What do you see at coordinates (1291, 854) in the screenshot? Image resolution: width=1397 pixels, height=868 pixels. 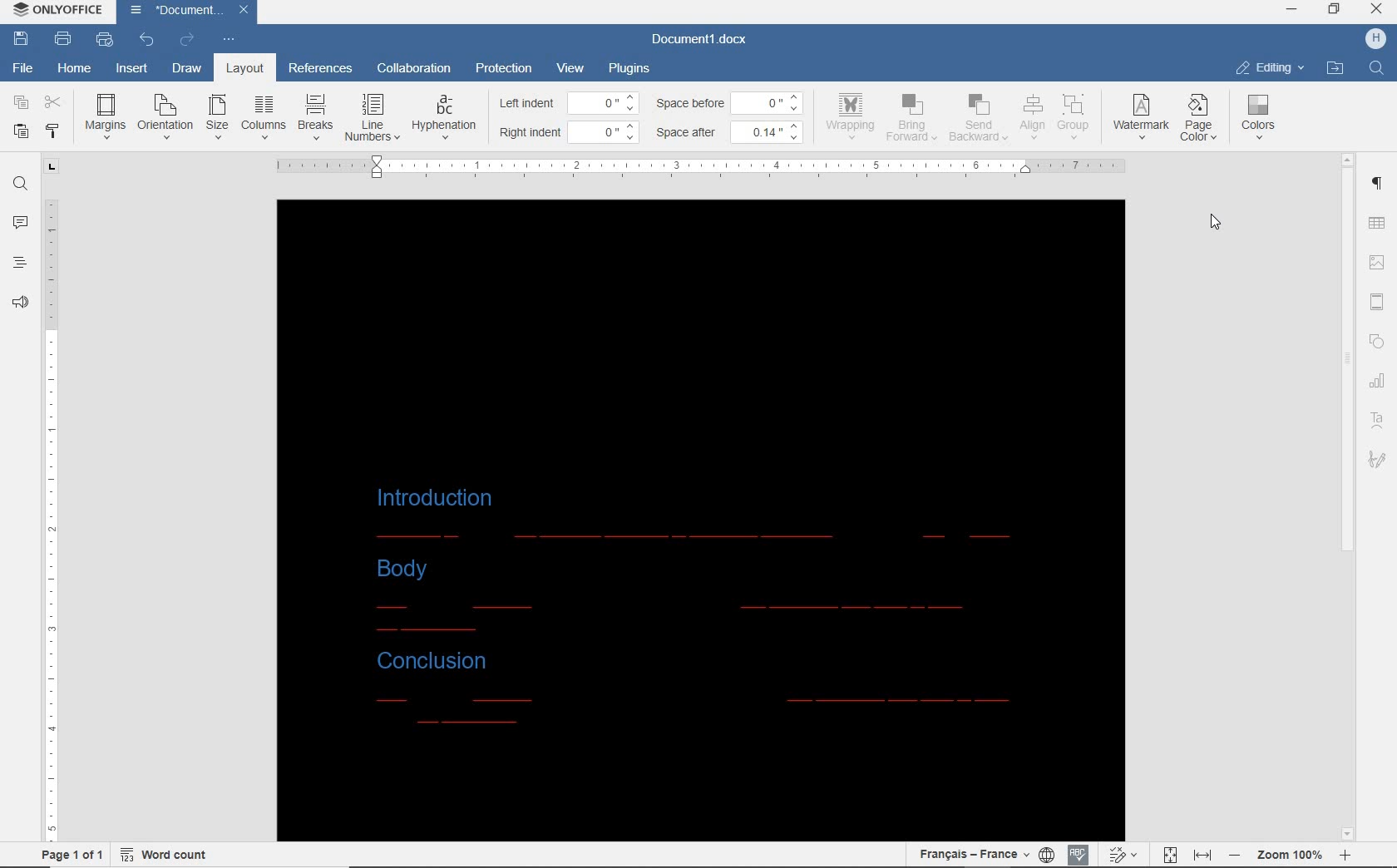 I see `zoom out or zoom in` at bounding box center [1291, 854].